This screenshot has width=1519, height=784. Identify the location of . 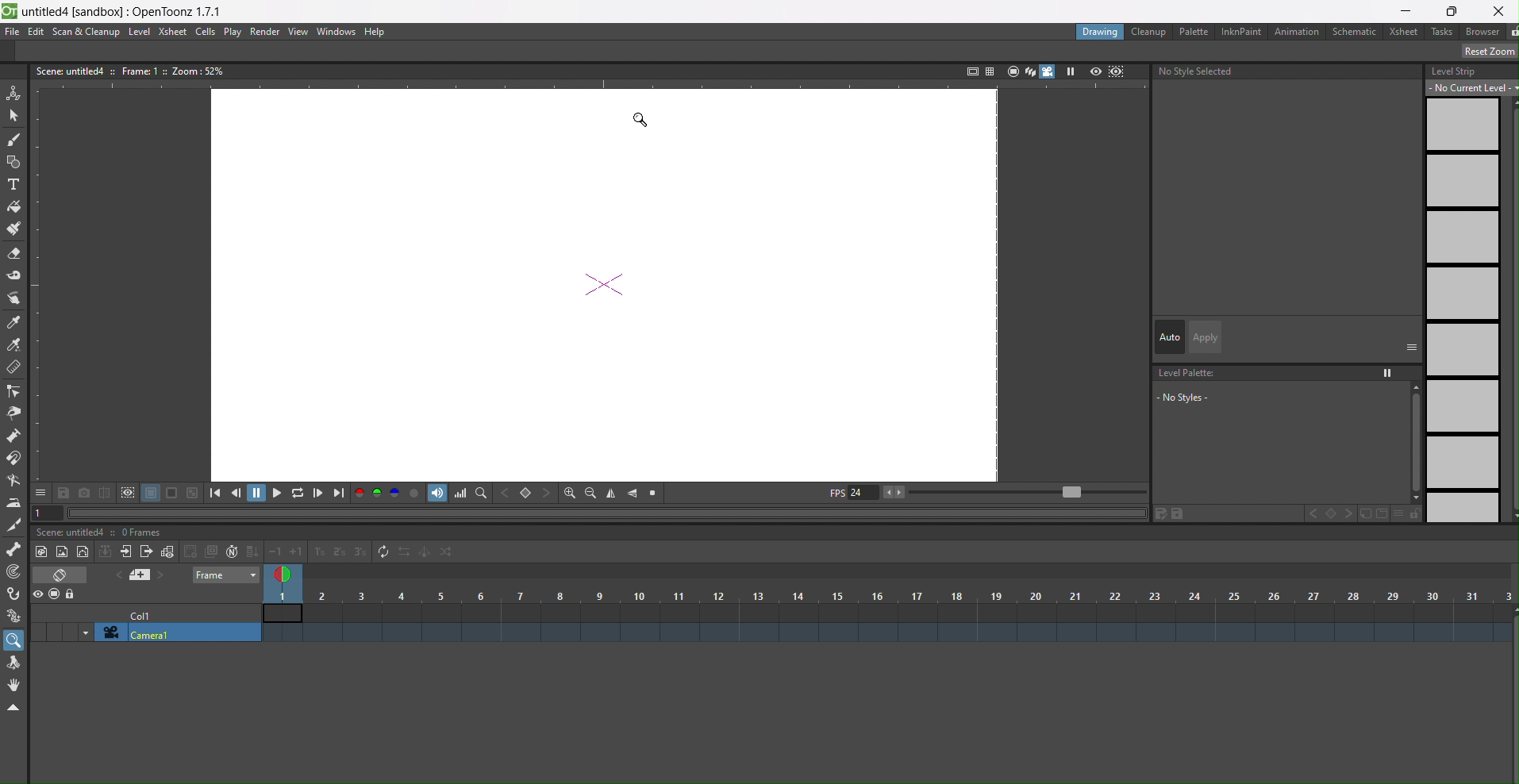
(15, 686).